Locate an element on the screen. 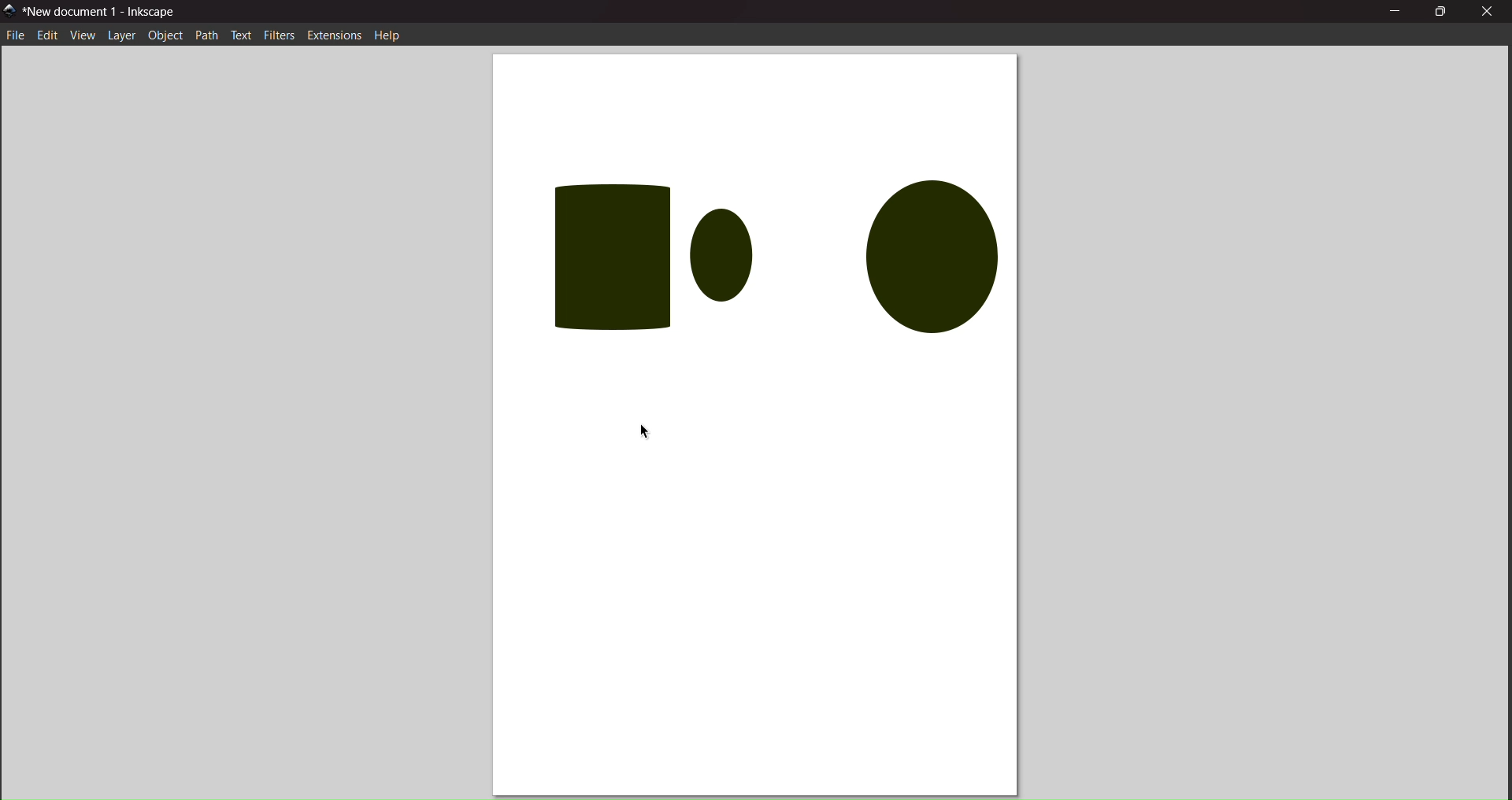  maximize is located at coordinates (1439, 13).